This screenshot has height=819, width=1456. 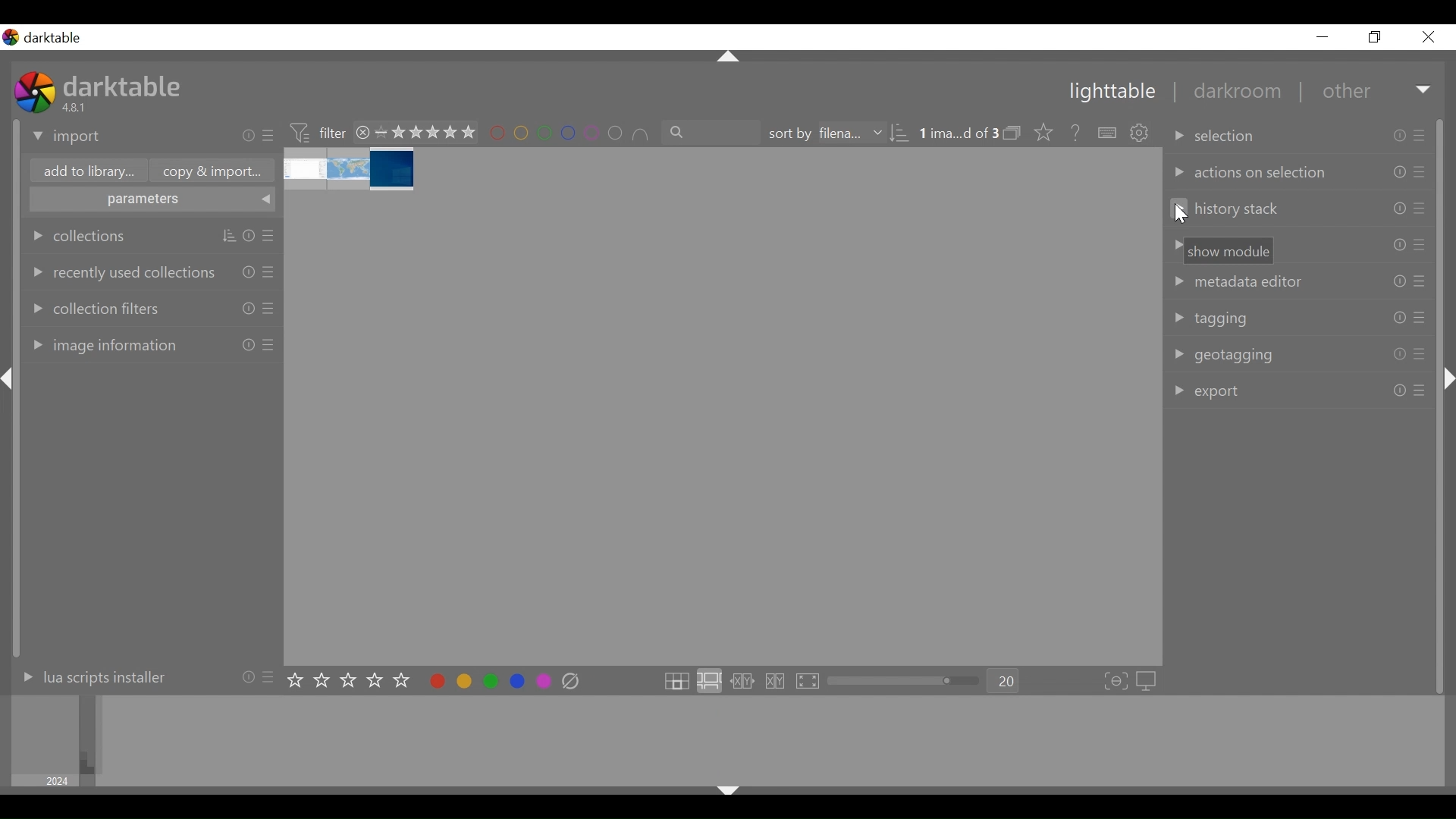 What do you see at coordinates (1071, 133) in the screenshot?
I see `help` at bounding box center [1071, 133].